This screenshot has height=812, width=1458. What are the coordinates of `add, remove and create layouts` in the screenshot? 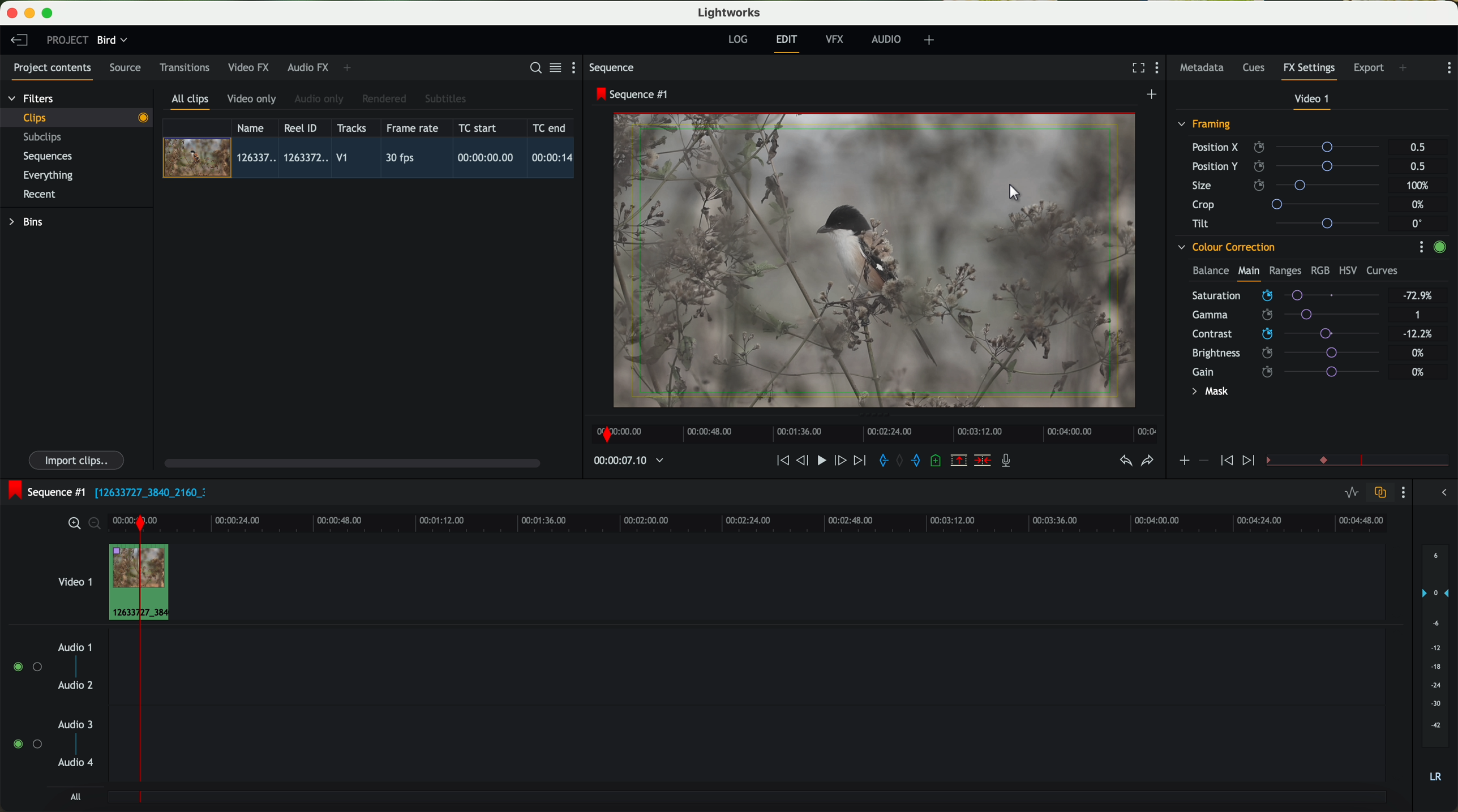 It's located at (931, 40).